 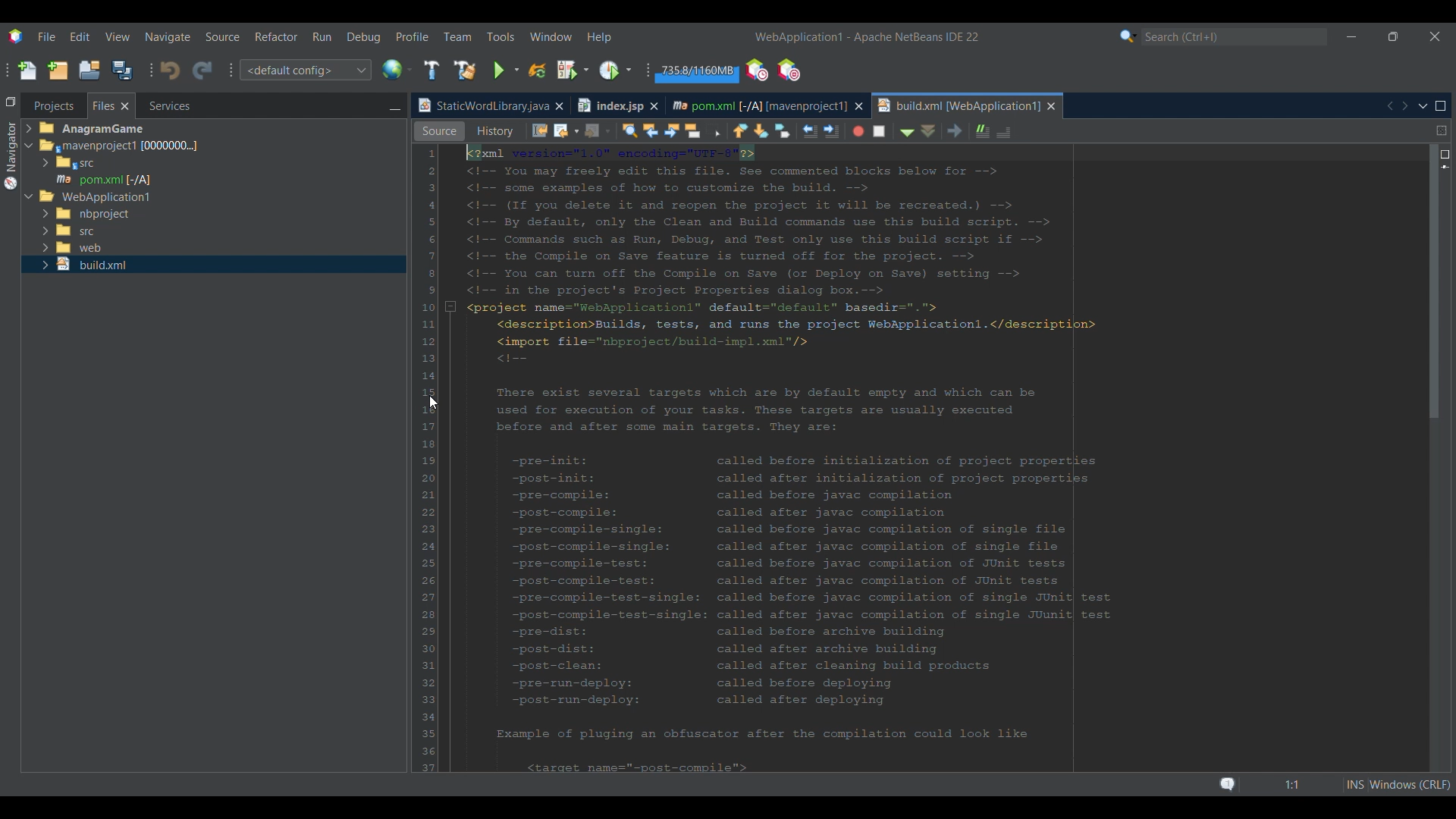 What do you see at coordinates (993, 132) in the screenshot?
I see `Start macro recording` at bounding box center [993, 132].